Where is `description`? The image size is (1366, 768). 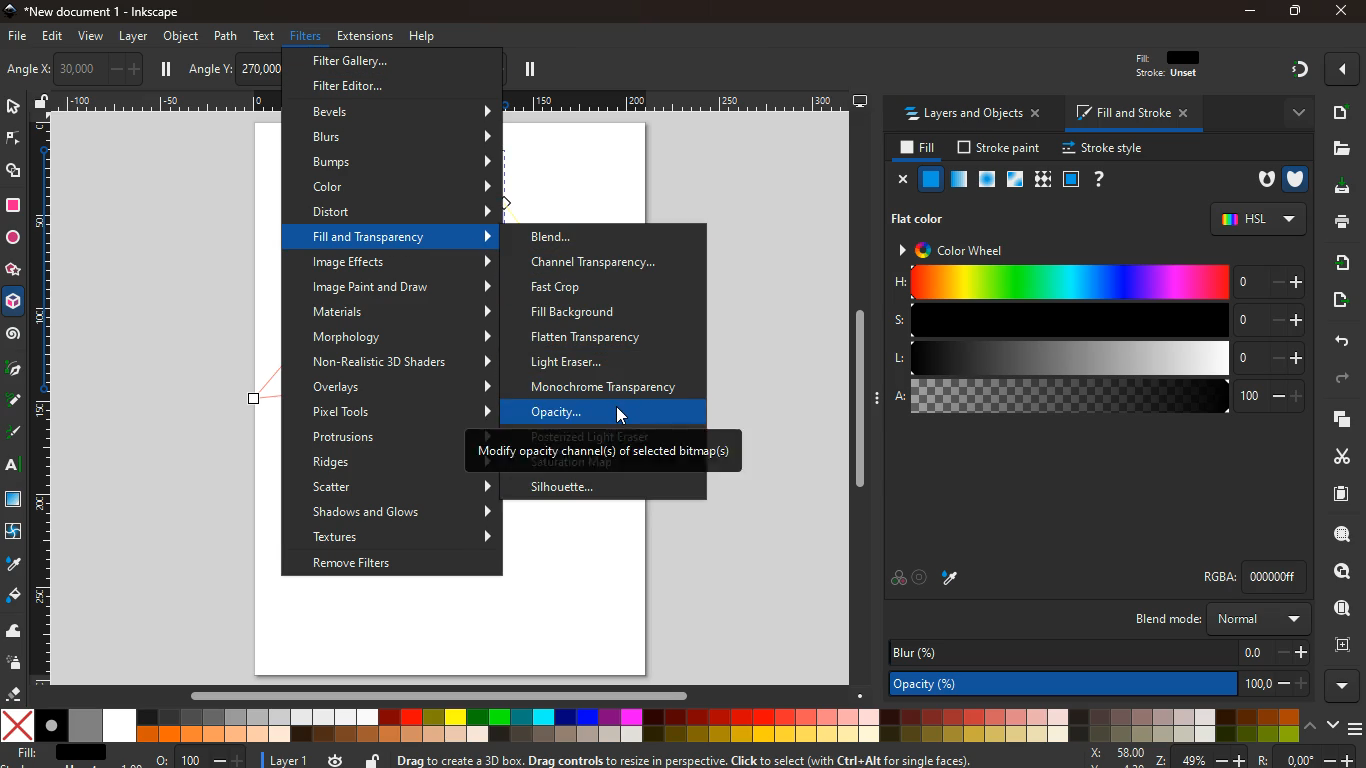
description is located at coordinates (606, 453).